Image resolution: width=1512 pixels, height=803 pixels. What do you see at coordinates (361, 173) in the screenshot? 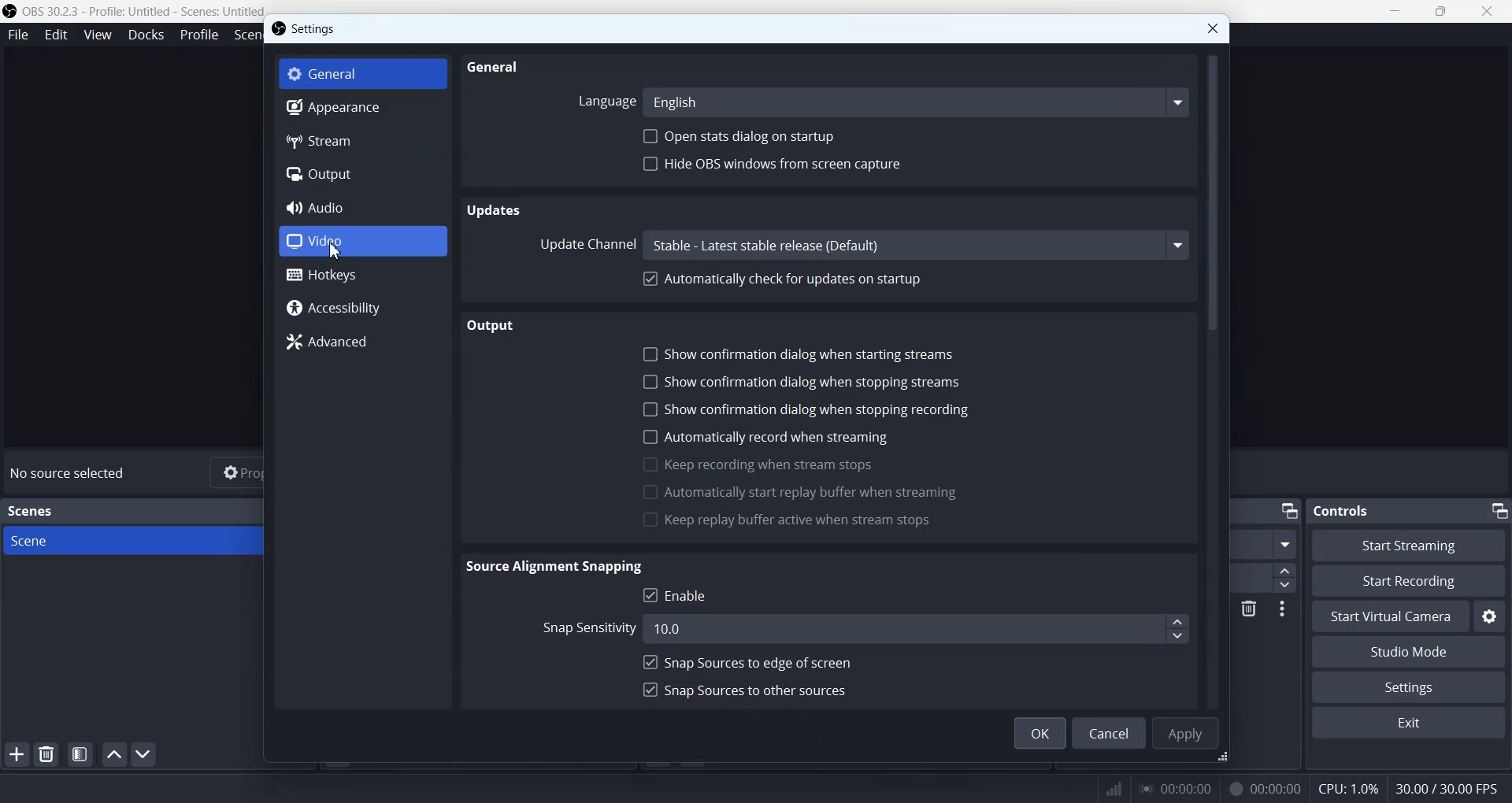
I see `Output` at bounding box center [361, 173].